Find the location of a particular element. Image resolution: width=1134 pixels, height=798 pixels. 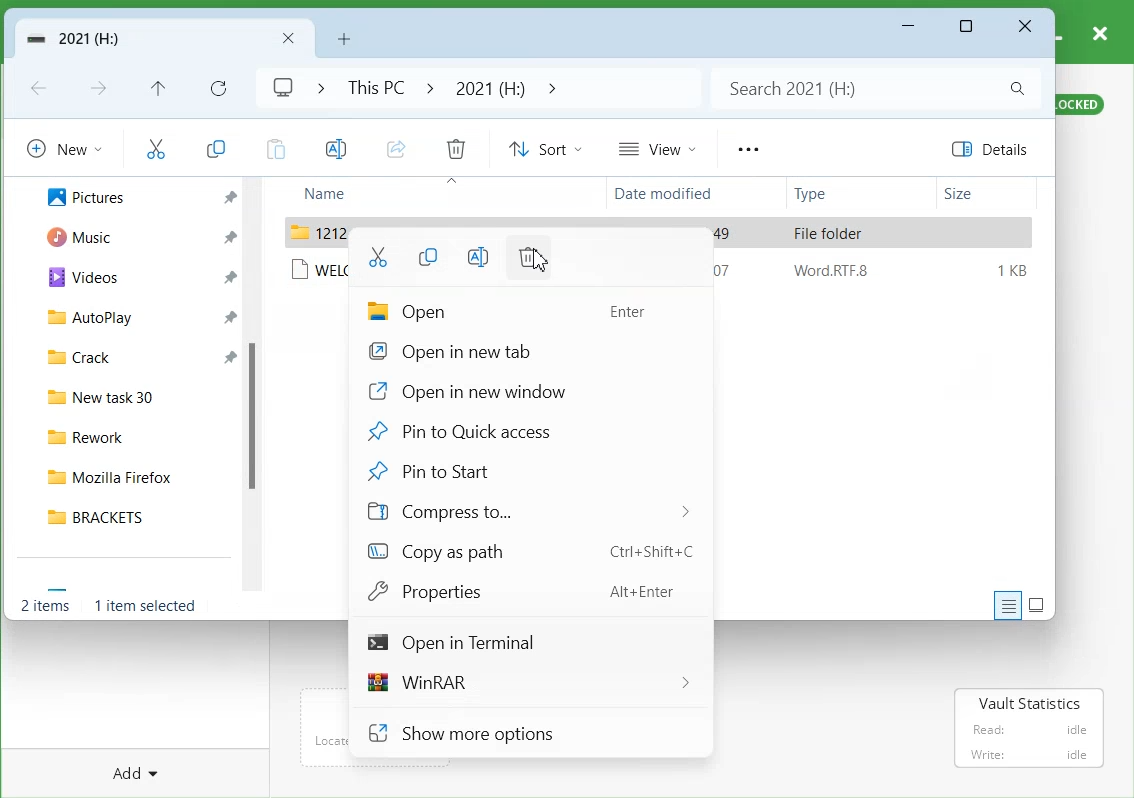

Show more options is located at coordinates (529, 734).